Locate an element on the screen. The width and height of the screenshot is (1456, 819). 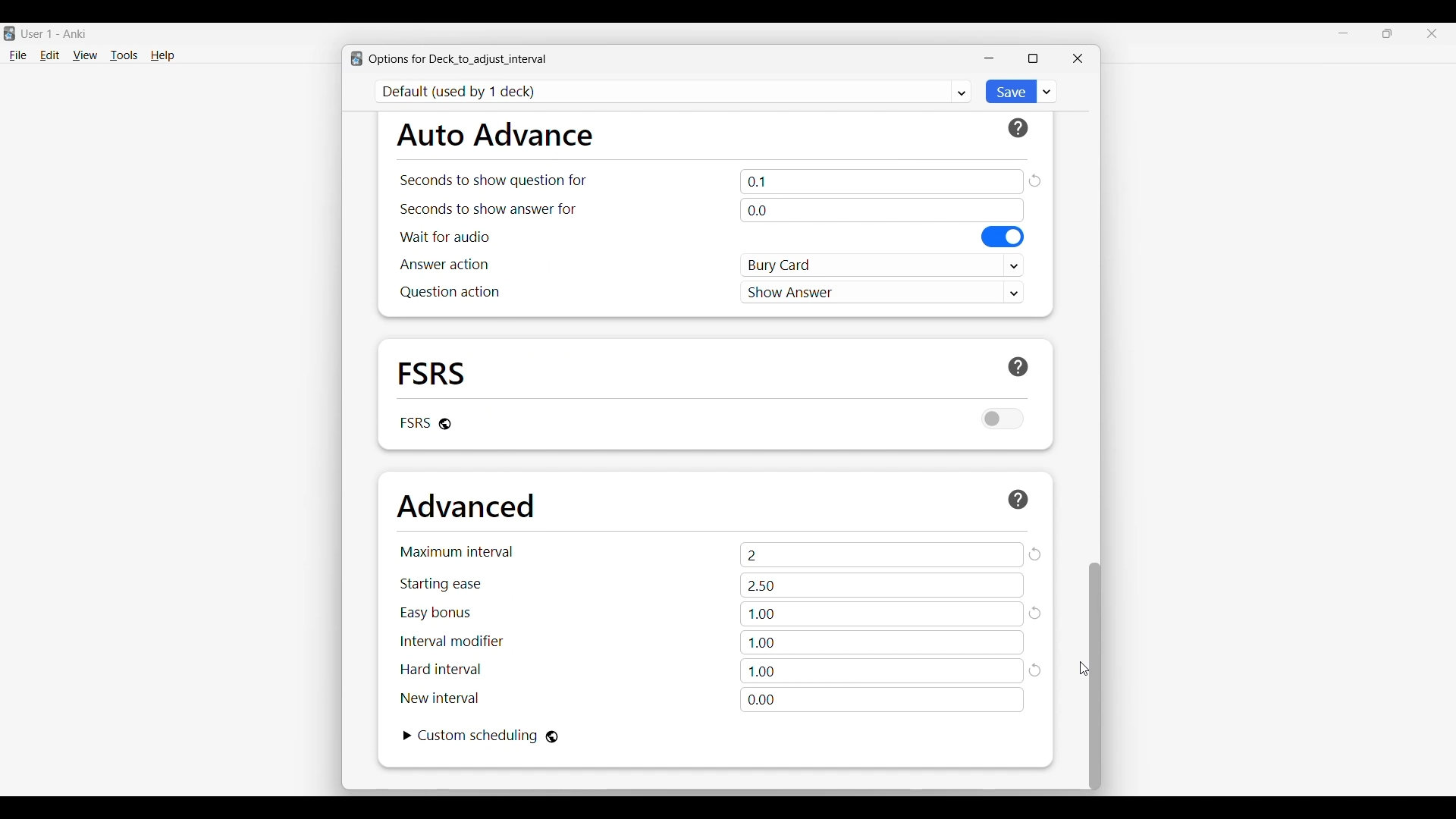
0.0 is located at coordinates (881, 210).